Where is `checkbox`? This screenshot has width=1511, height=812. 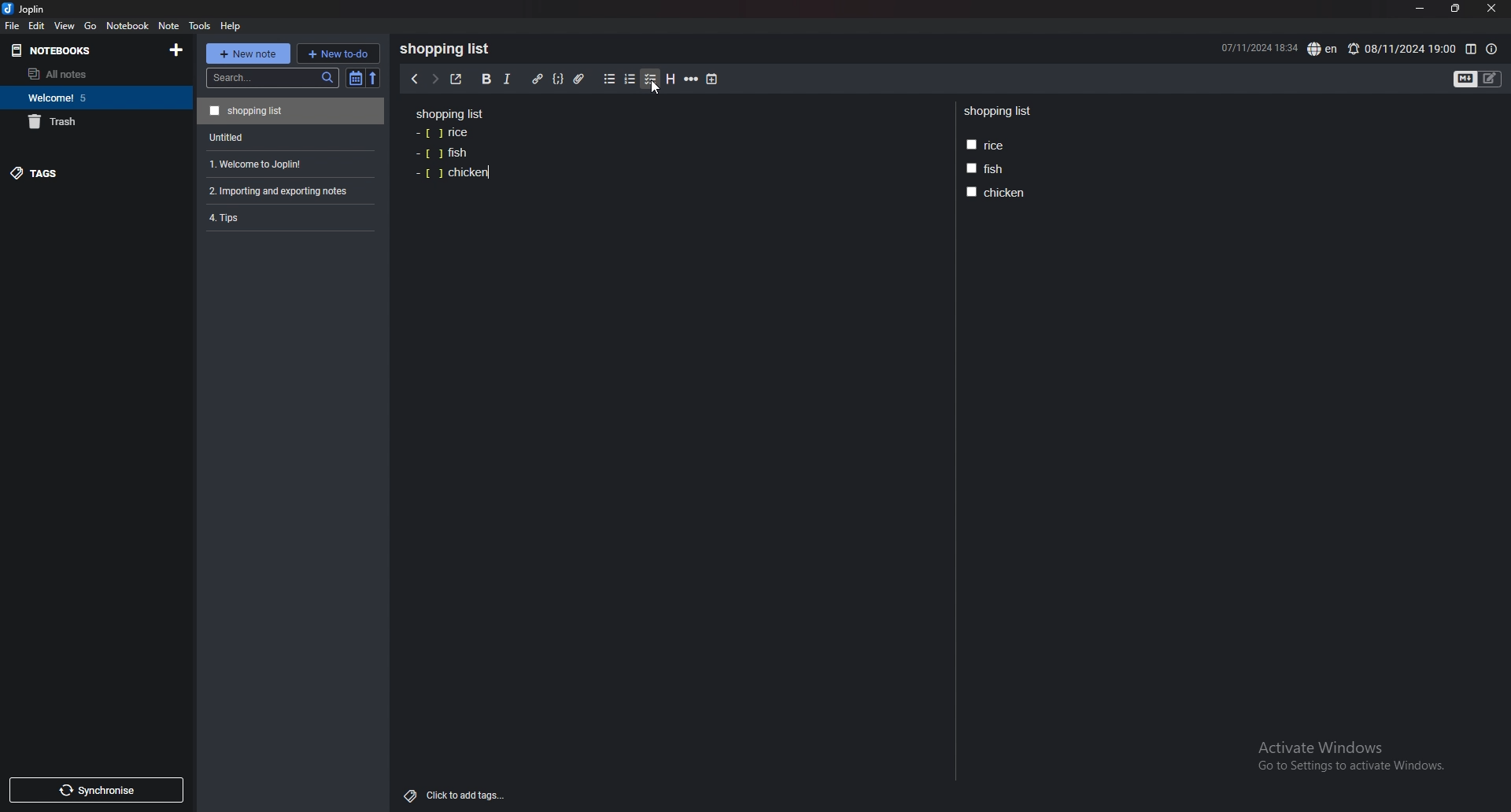
checkbox is located at coordinates (651, 79).